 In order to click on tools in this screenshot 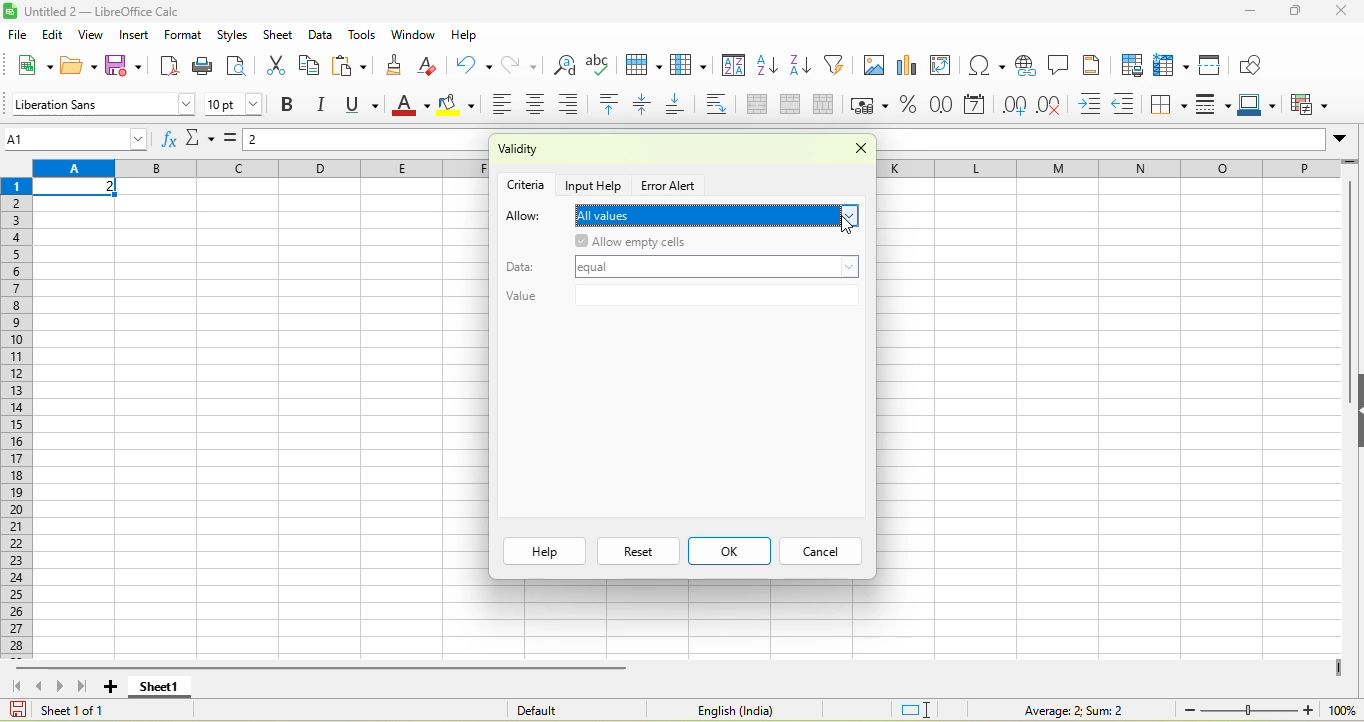, I will do `click(362, 36)`.